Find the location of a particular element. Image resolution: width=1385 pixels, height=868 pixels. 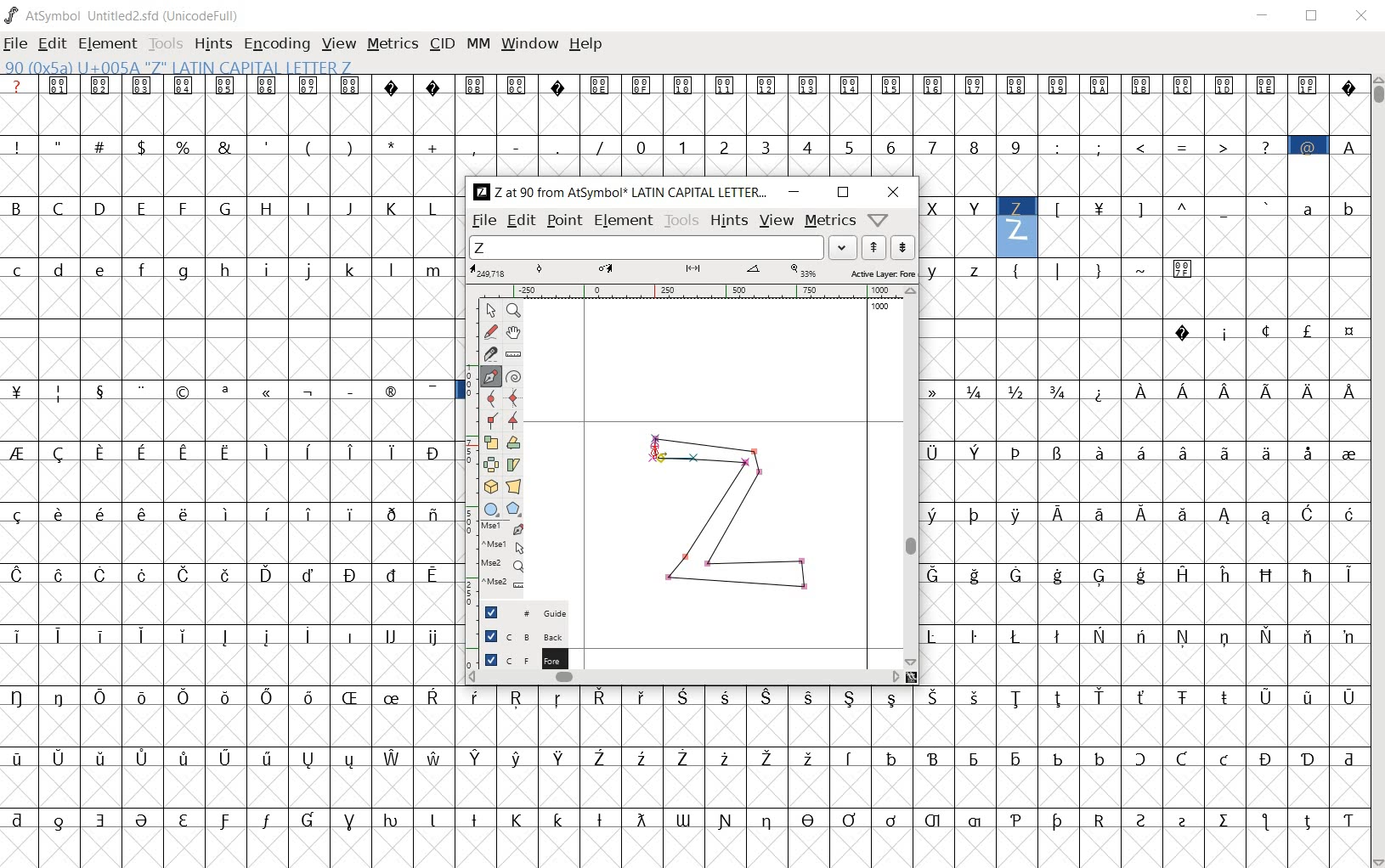

encoding is located at coordinates (275, 44).